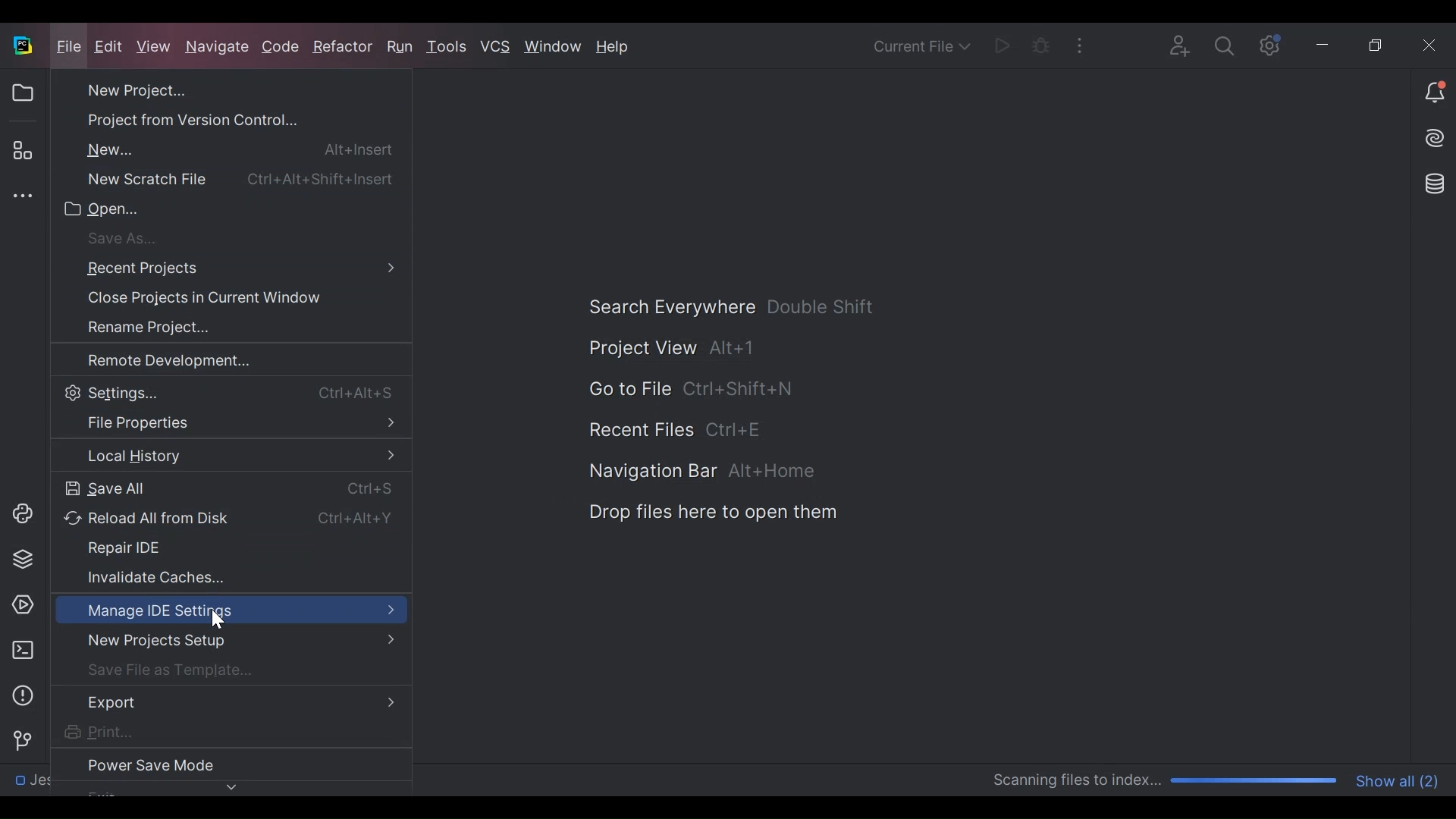 The height and width of the screenshot is (819, 1456). What do you see at coordinates (206, 328) in the screenshot?
I see `Rename Project` at bounding box center [206, 328].